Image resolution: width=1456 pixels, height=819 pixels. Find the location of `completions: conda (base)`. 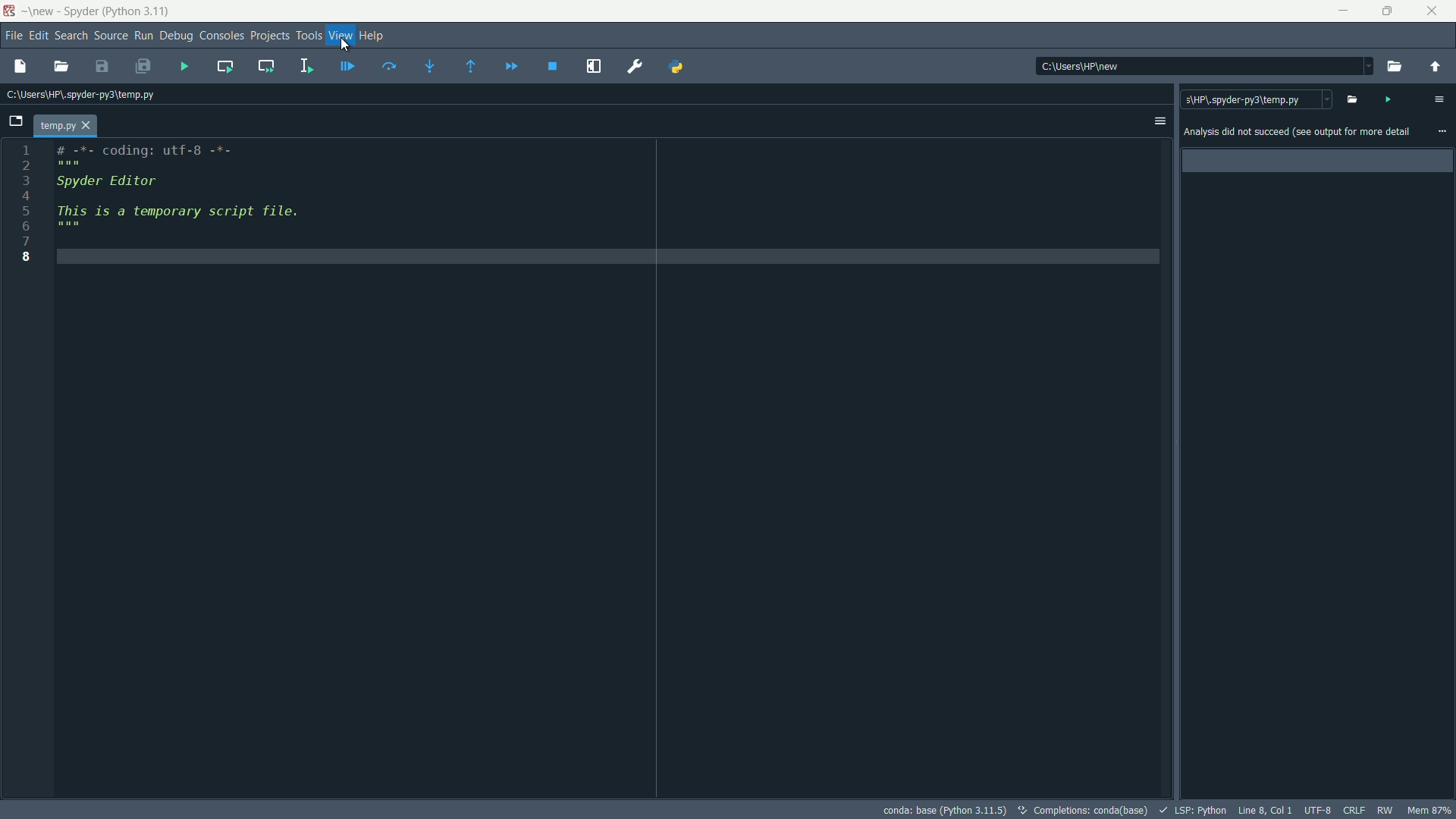

completions: conda (base) is located at coordinates (1080, 810).